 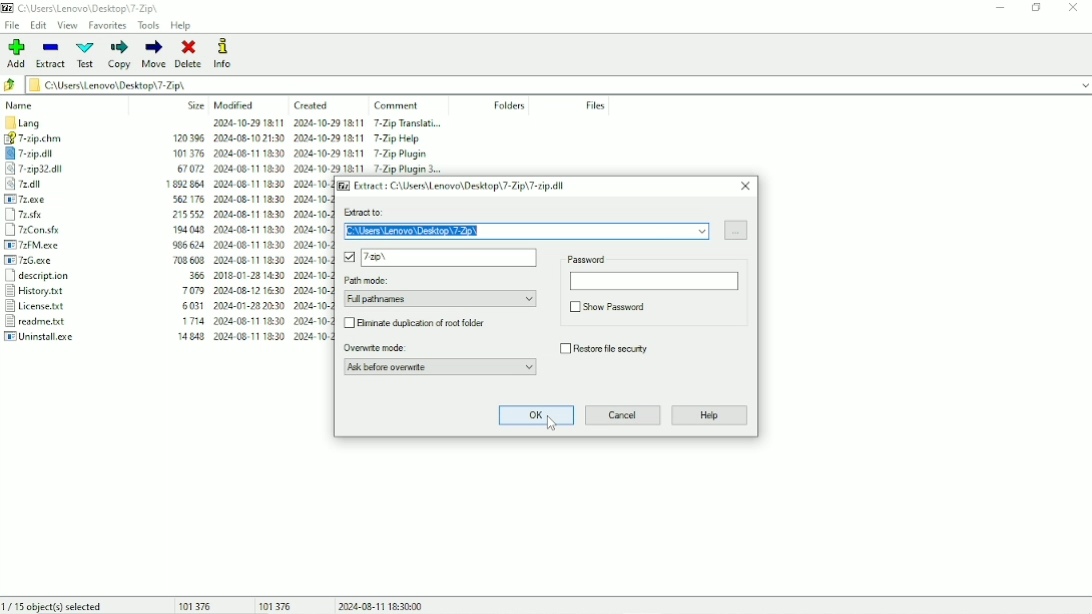 I want to click on ST072 200408111200 200911 T-2wPuon i., so click(x=325, y=168).